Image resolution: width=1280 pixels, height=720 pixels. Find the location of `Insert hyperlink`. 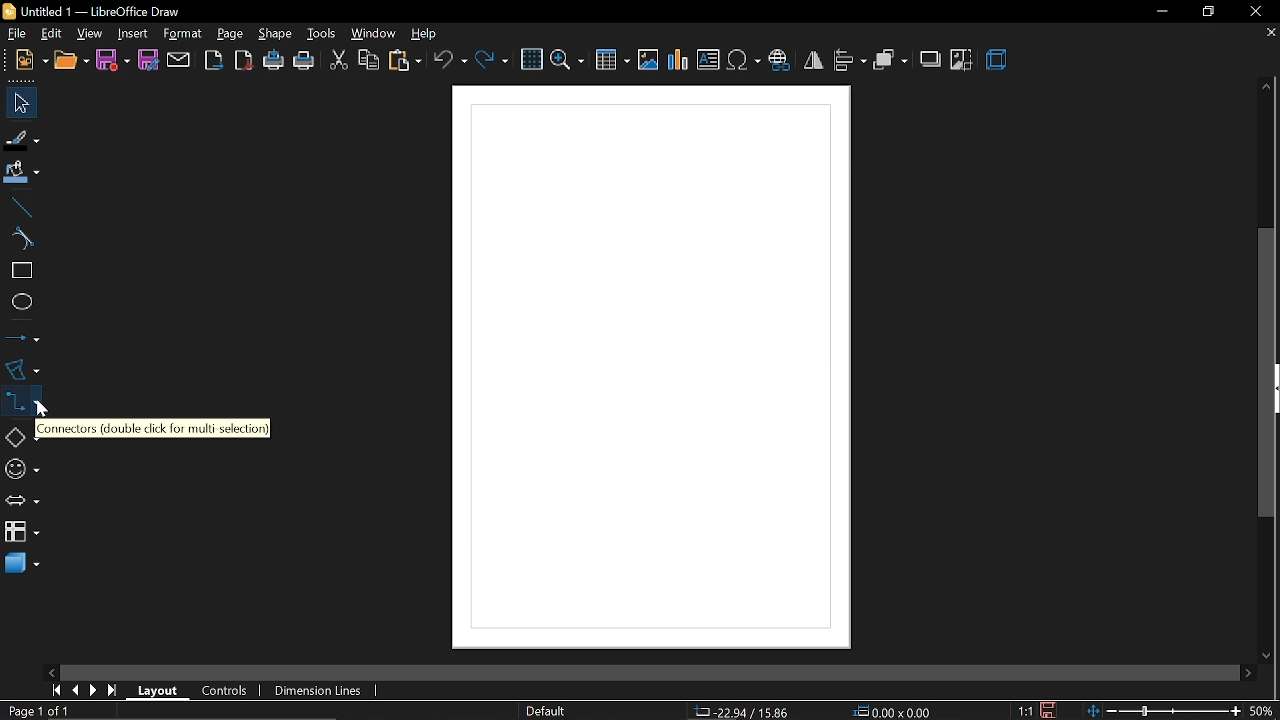

Insert hyperlink is located at coordinates (779, 62).